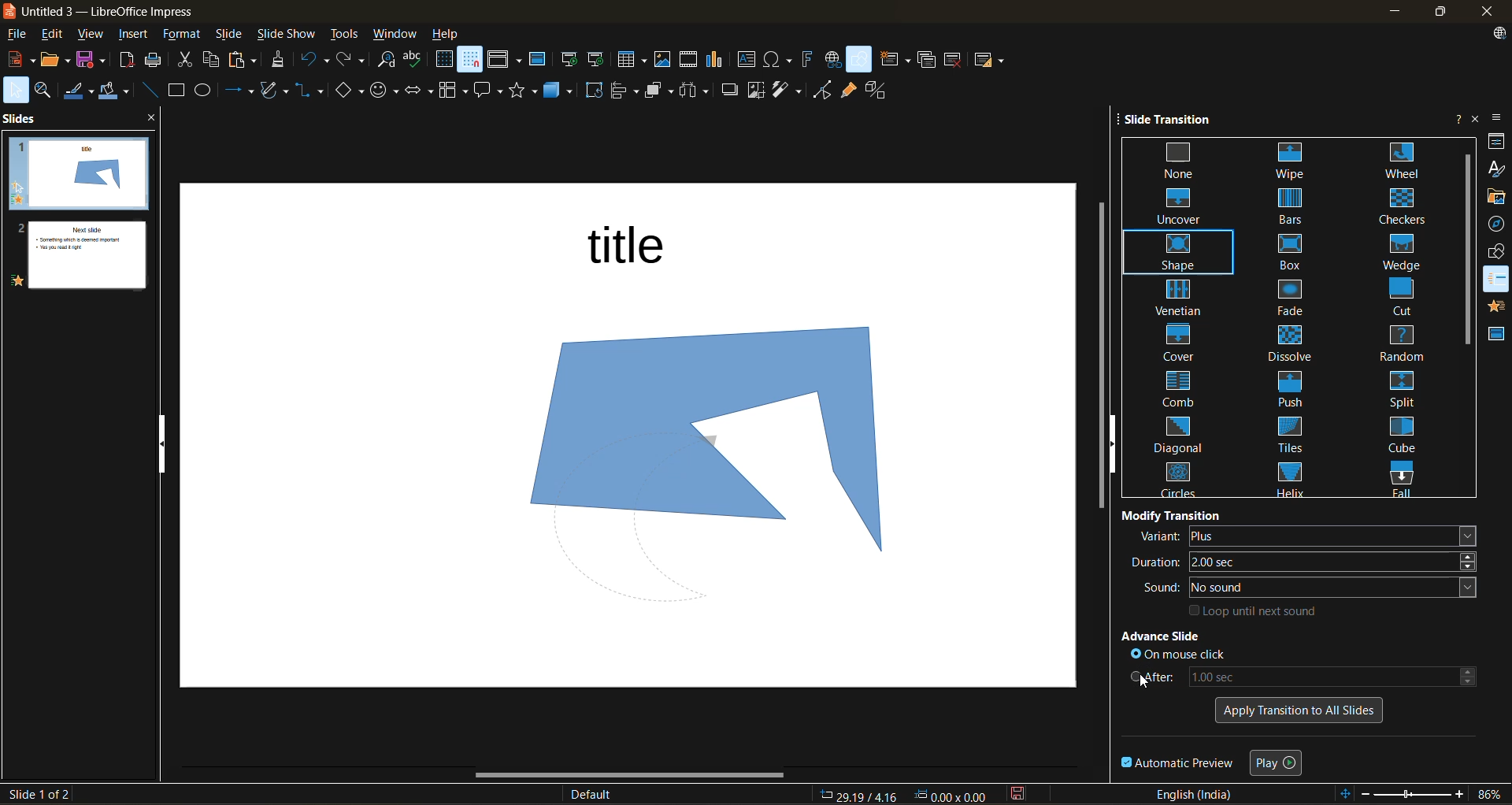 This screenshot has width=1512, height=805. Describe the element at coordinates (861, 60) in the screenshot. I see `show draw functions` at that location.